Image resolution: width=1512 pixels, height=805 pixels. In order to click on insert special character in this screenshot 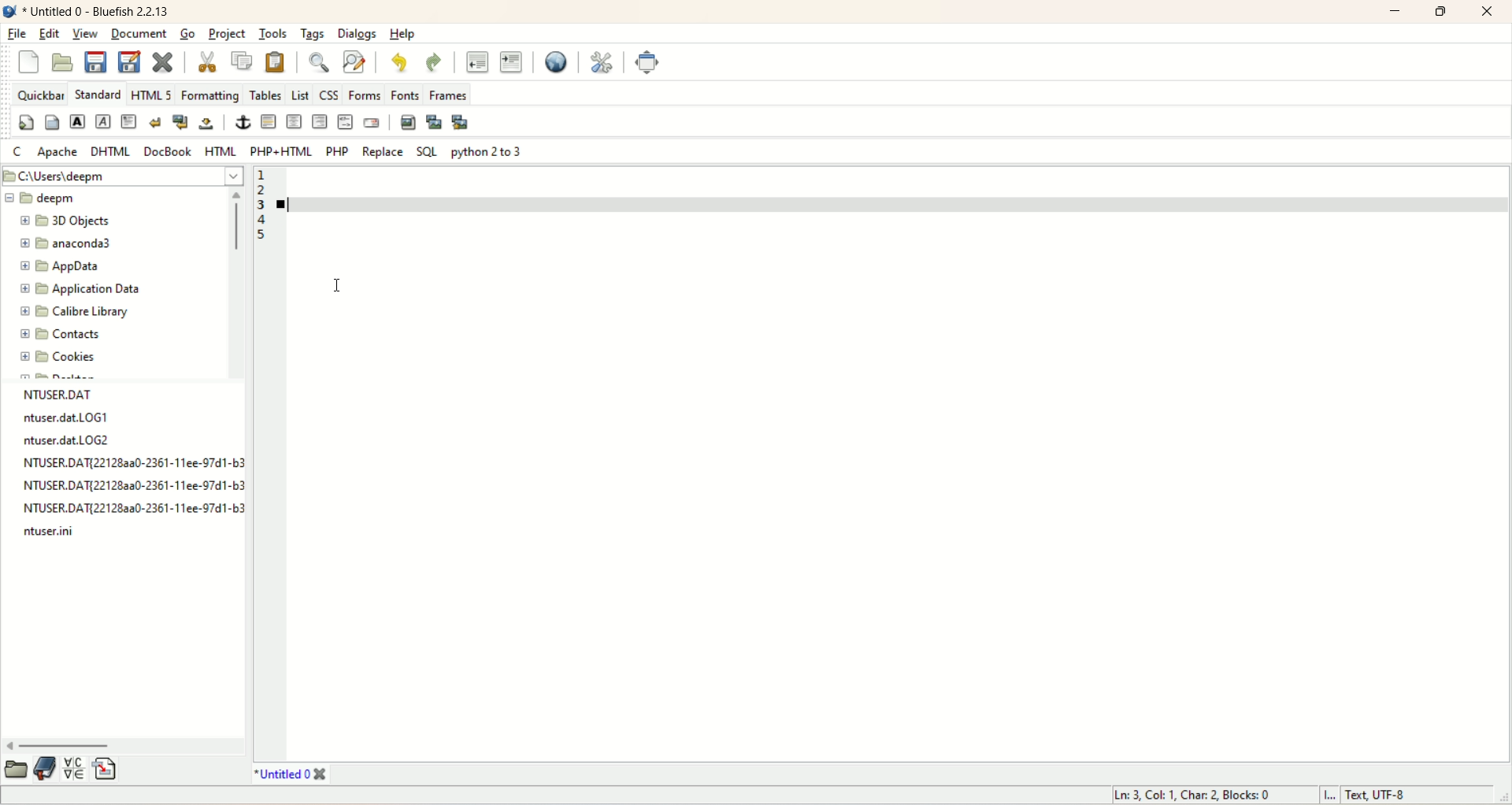, I will do `click(73, 768)`.